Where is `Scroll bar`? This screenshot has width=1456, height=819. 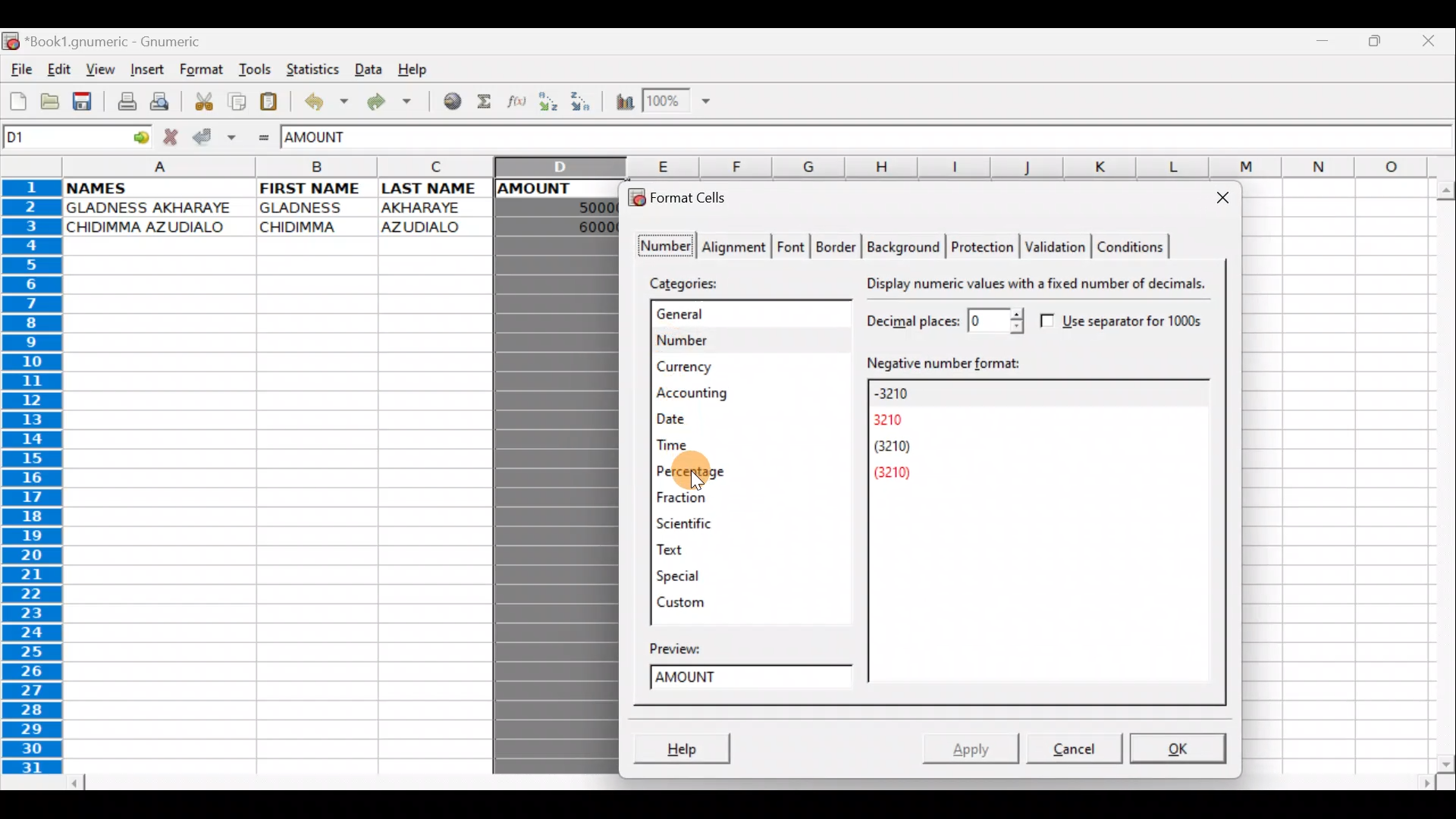 Scroll bar is located at coordinates (745, 780).